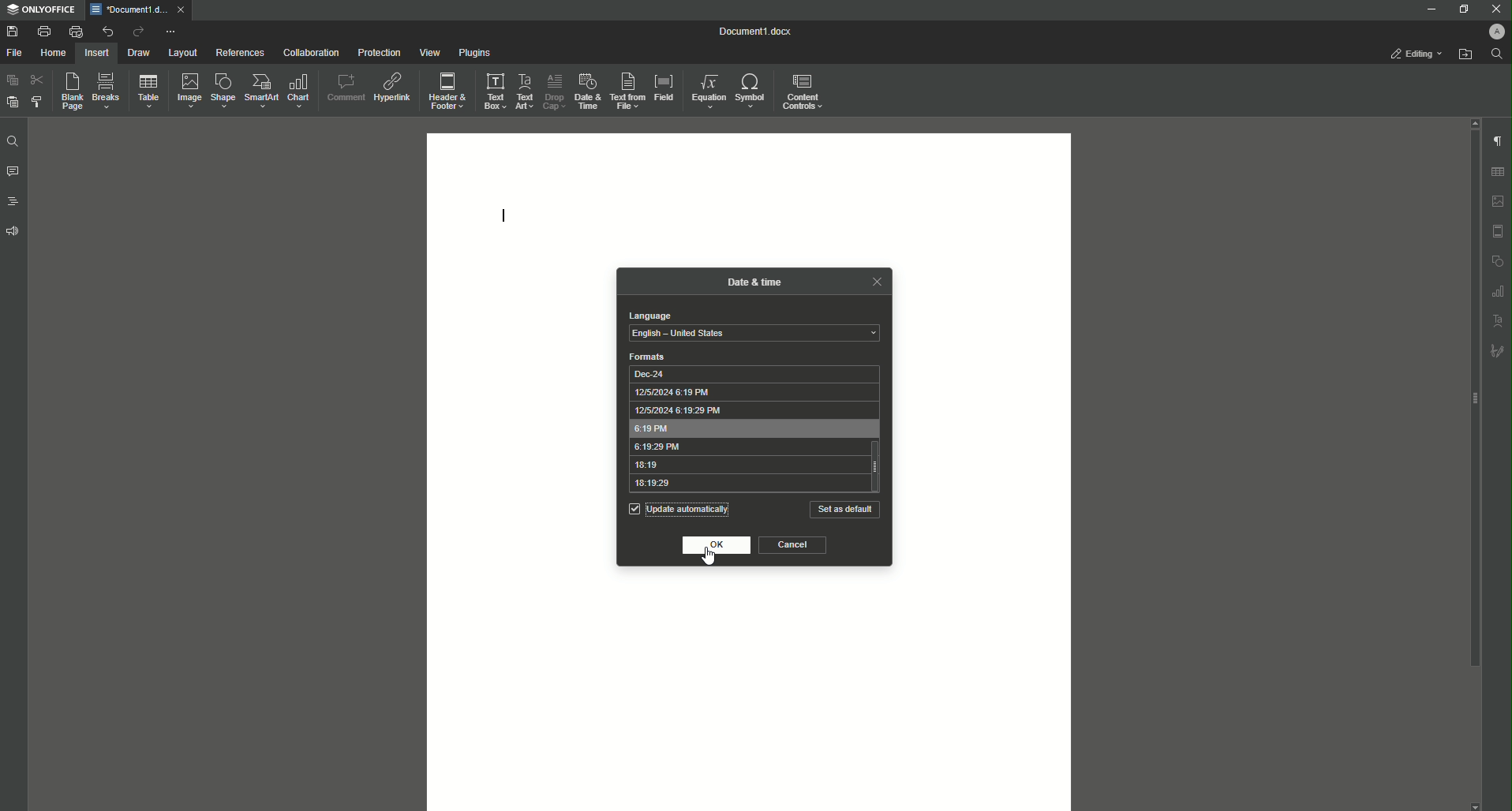 The image size is (1512, 811). What do you see at coordinates (259, 92) in the screenshot?
I see `SmartArt` at bounding box center [259, 92].